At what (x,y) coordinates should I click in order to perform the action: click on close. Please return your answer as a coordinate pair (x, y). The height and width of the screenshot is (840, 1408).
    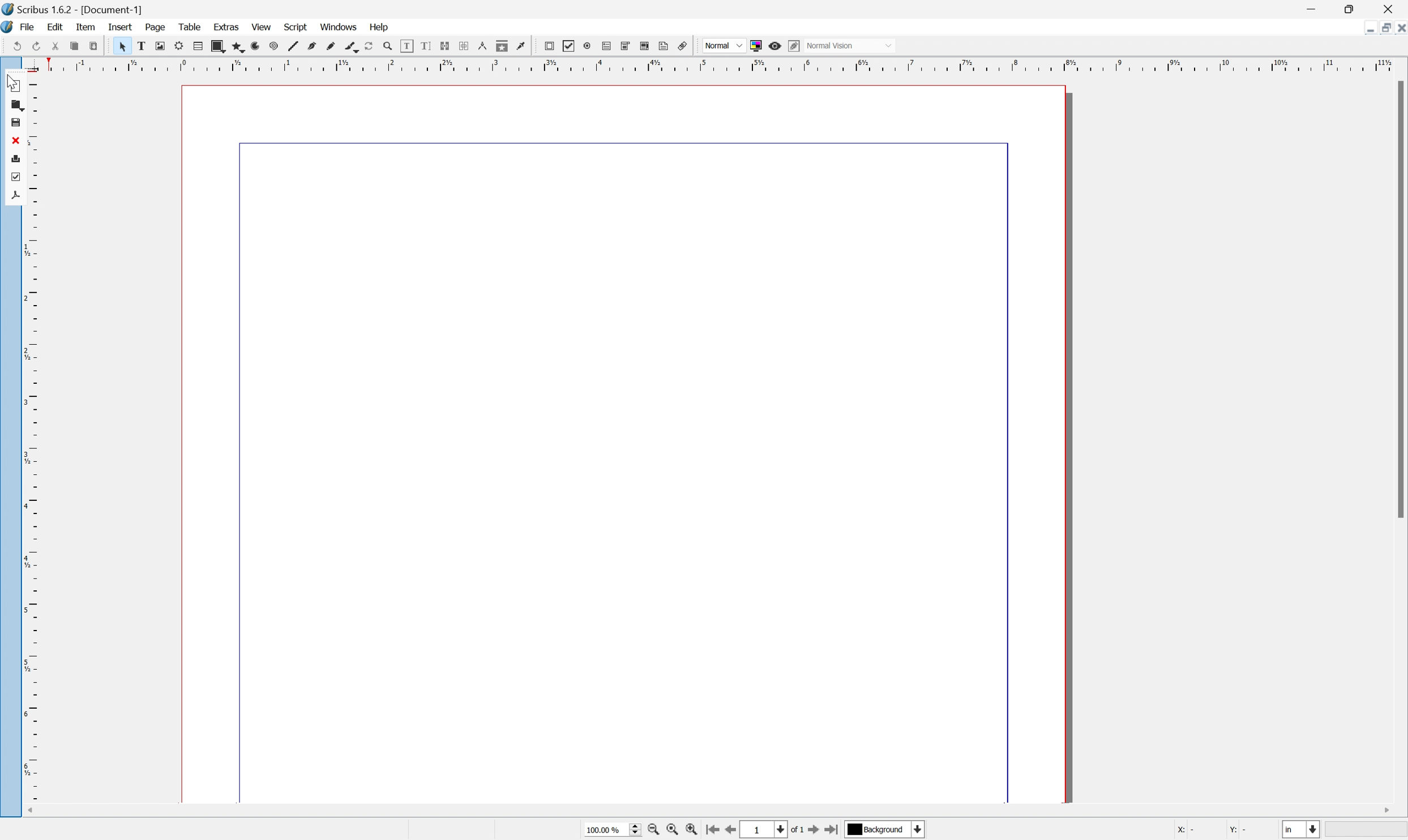
    Looking at the image, I should click on (16, 139).